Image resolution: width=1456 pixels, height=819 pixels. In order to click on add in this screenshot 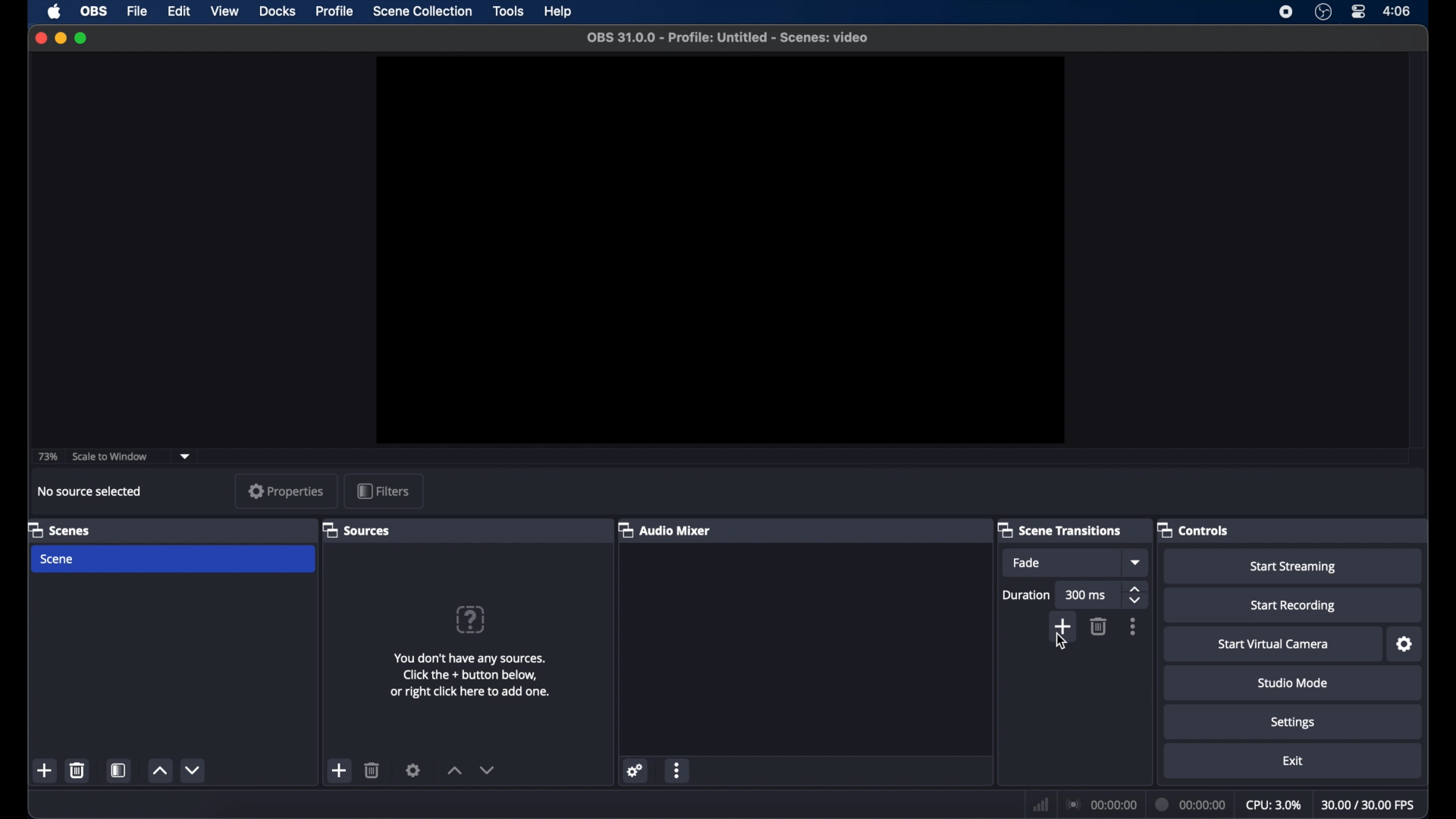, I will do `click(338, 770)`.